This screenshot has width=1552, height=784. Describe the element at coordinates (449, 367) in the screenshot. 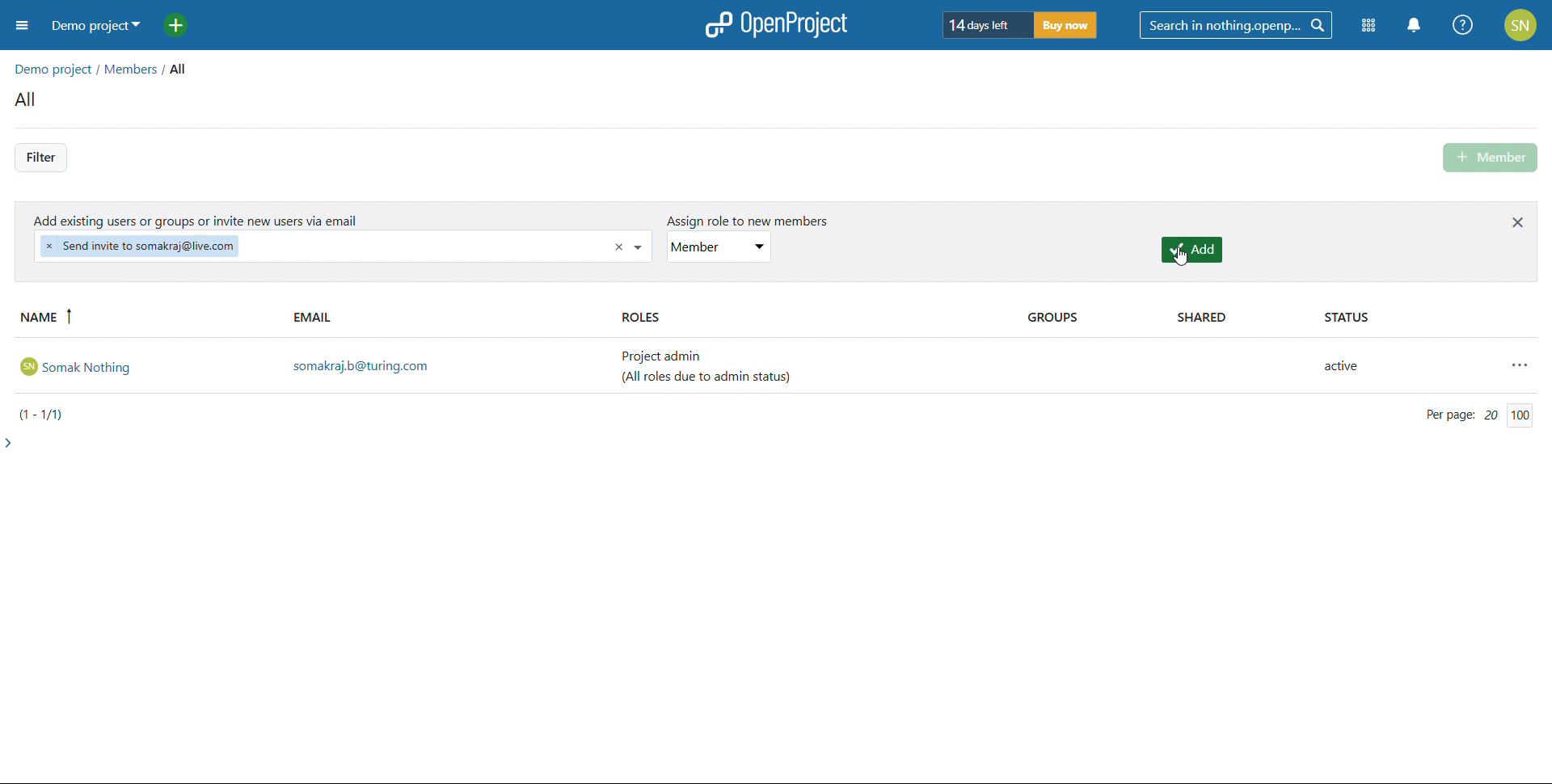

I see `somakraj.b@turing.com` at that location.